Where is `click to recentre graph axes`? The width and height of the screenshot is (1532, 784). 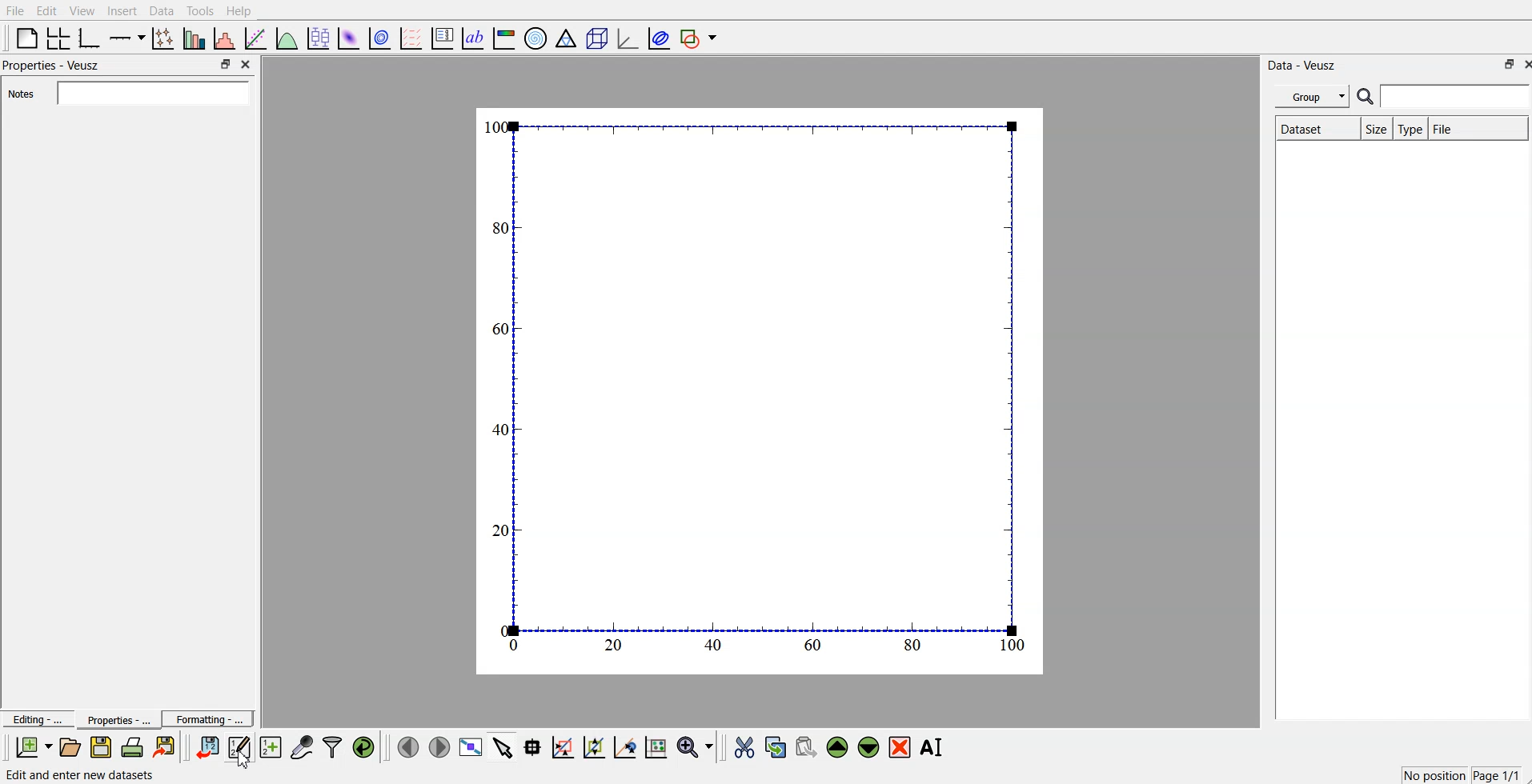 click to recentre graph axes is located at coordinates (626, 745).